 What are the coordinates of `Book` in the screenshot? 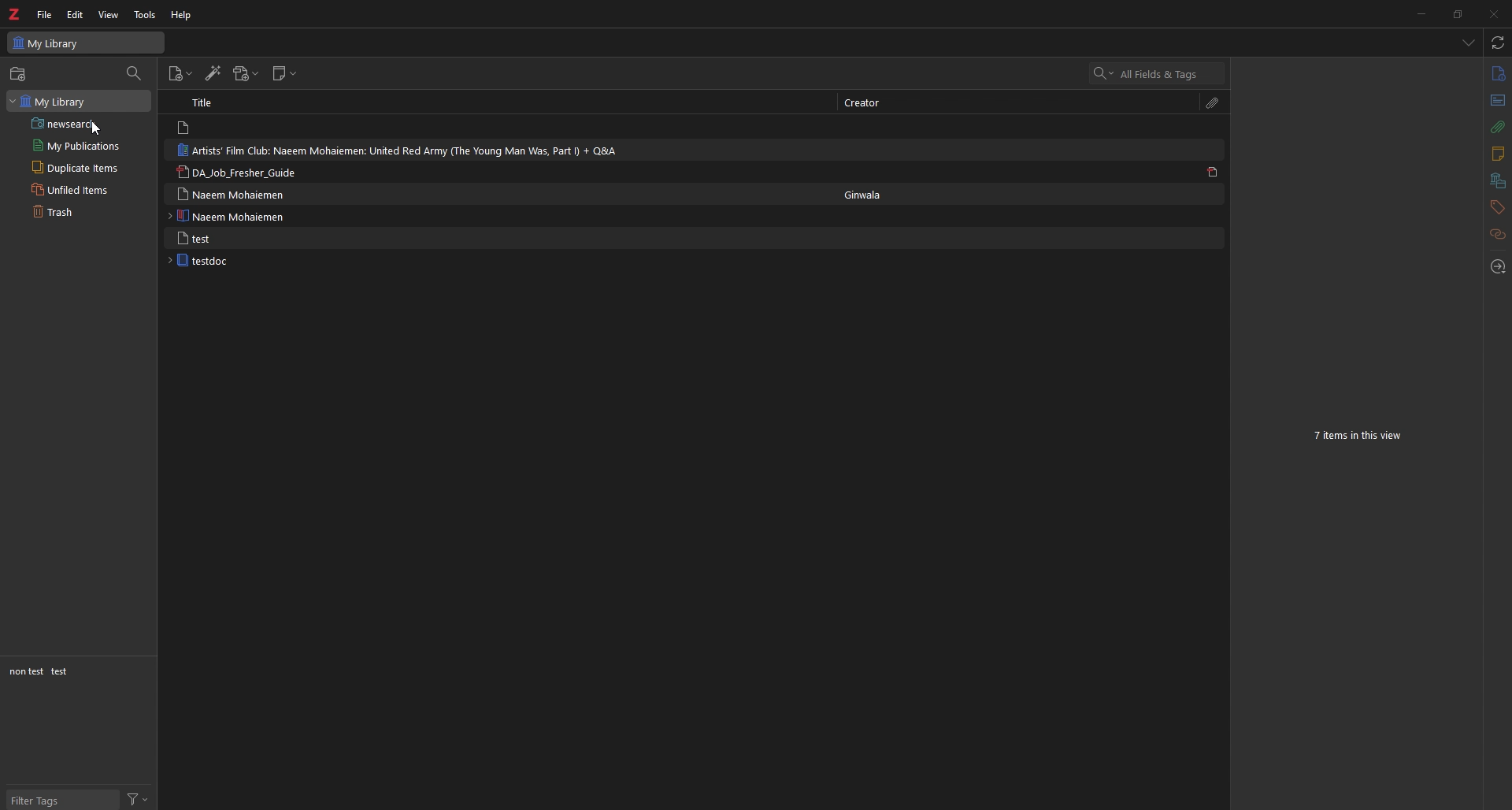 It's located at (195, 261).